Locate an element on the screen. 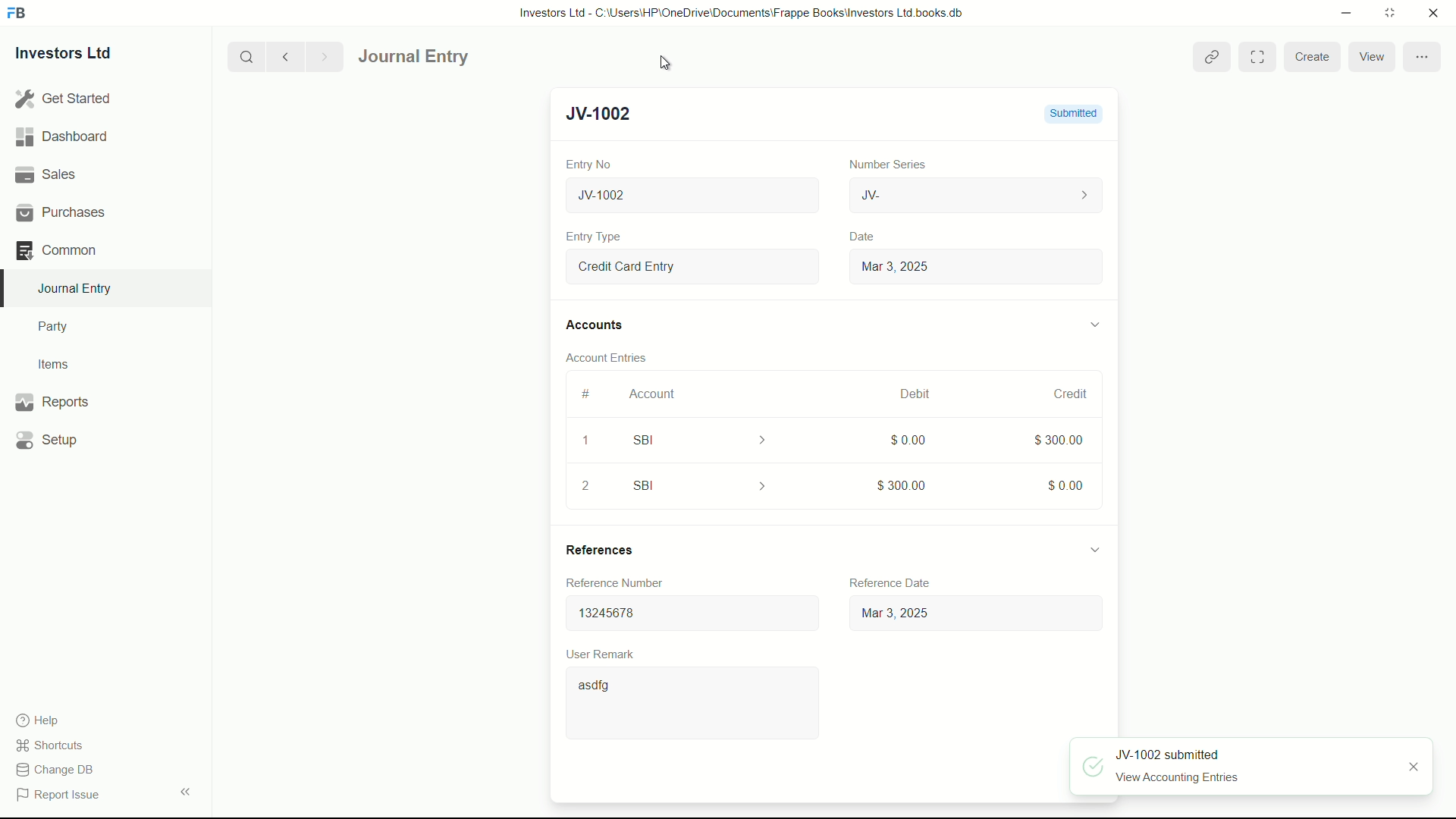 The width and height of the screenshot is (1456, 819). SBI is located at coordinates (710, 439).